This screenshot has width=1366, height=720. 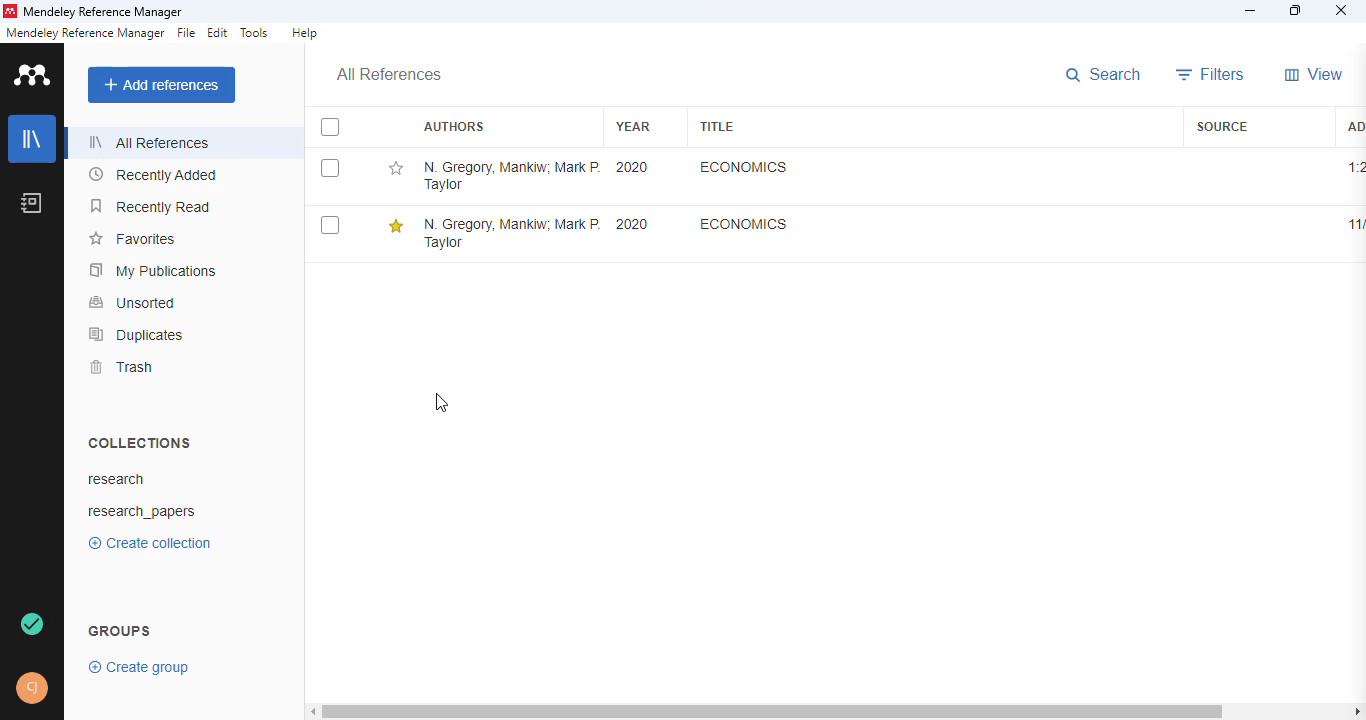 I want to click on add this reference to favorites, so click(x=394, y=168).